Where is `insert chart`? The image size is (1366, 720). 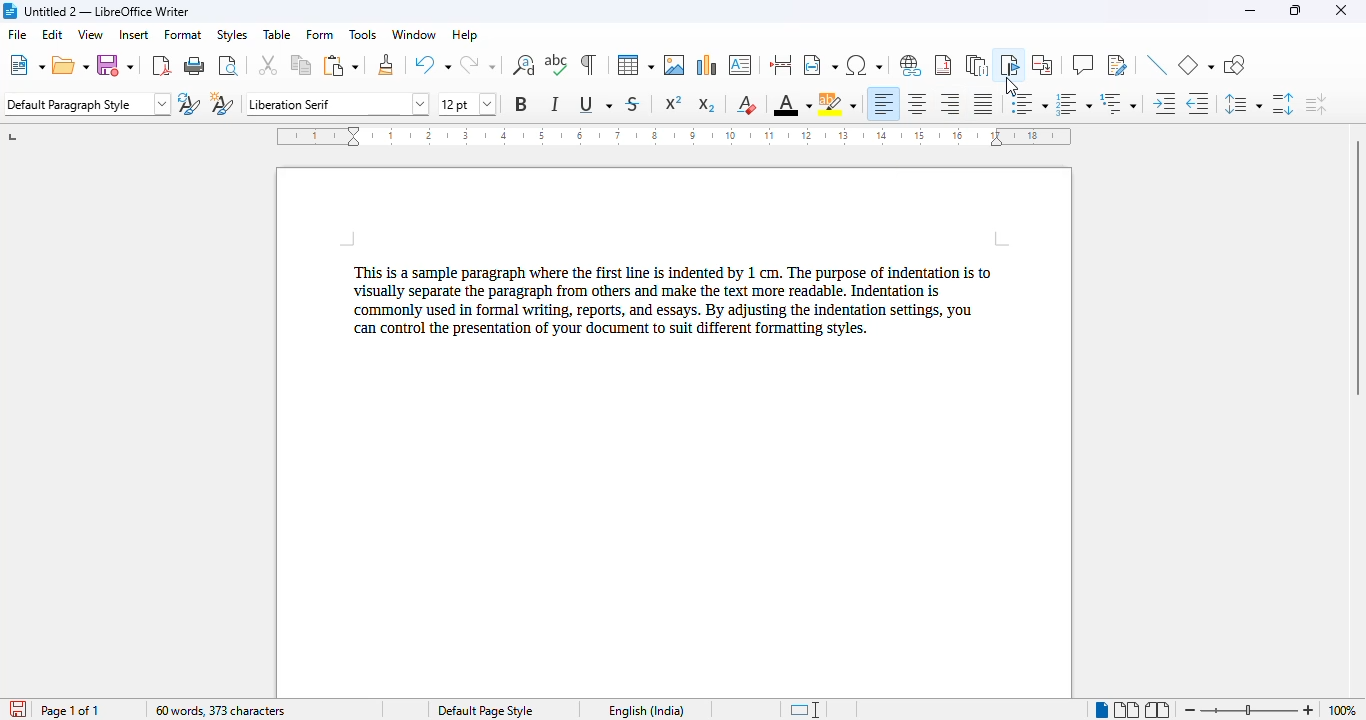 insert chart is located at coordinates (708, 65).